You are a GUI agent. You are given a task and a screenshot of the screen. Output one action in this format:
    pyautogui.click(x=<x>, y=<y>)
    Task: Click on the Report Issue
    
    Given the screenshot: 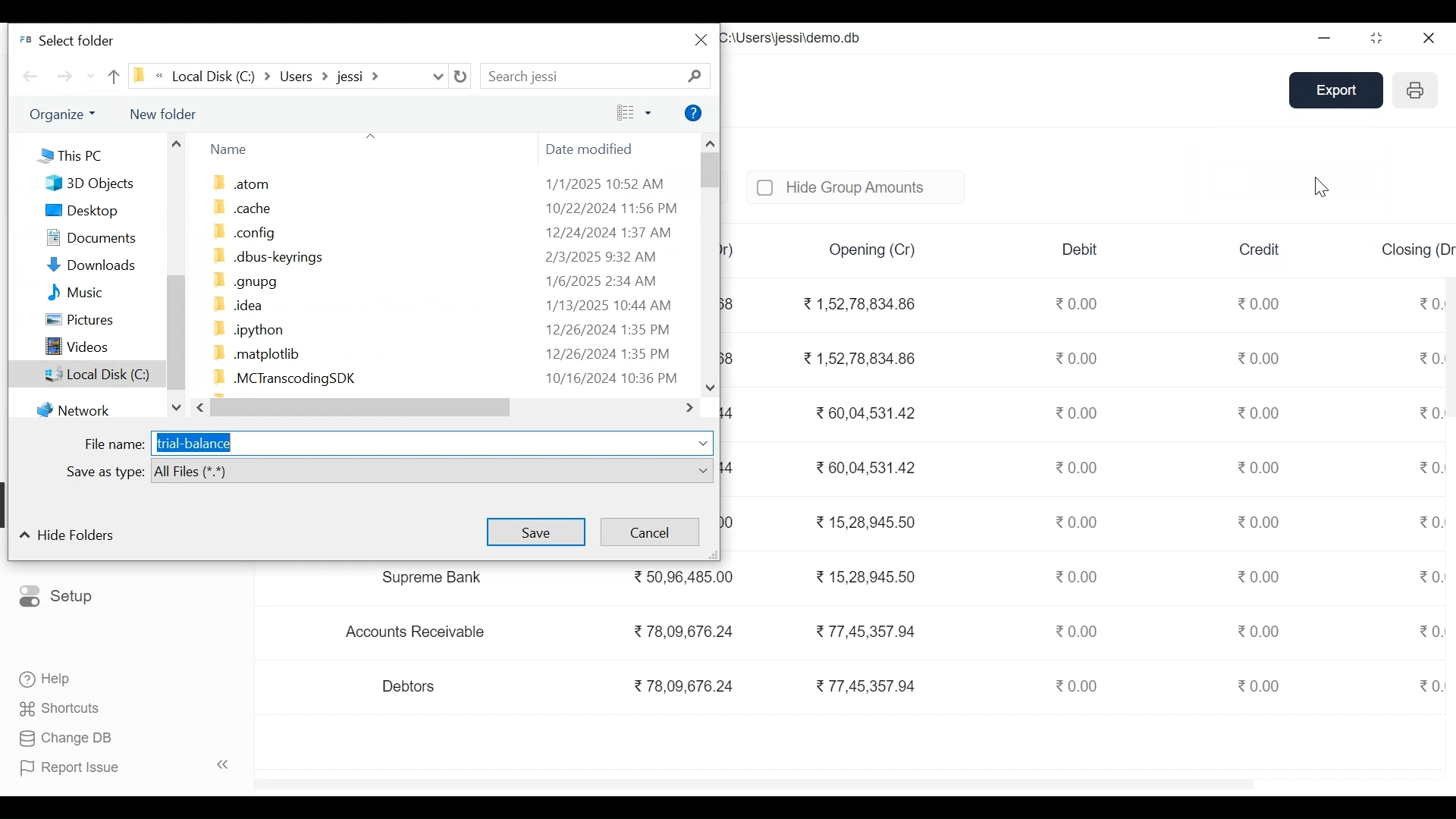 What is the action you would take?
    pyautogui.click(x=124, y=767)
    